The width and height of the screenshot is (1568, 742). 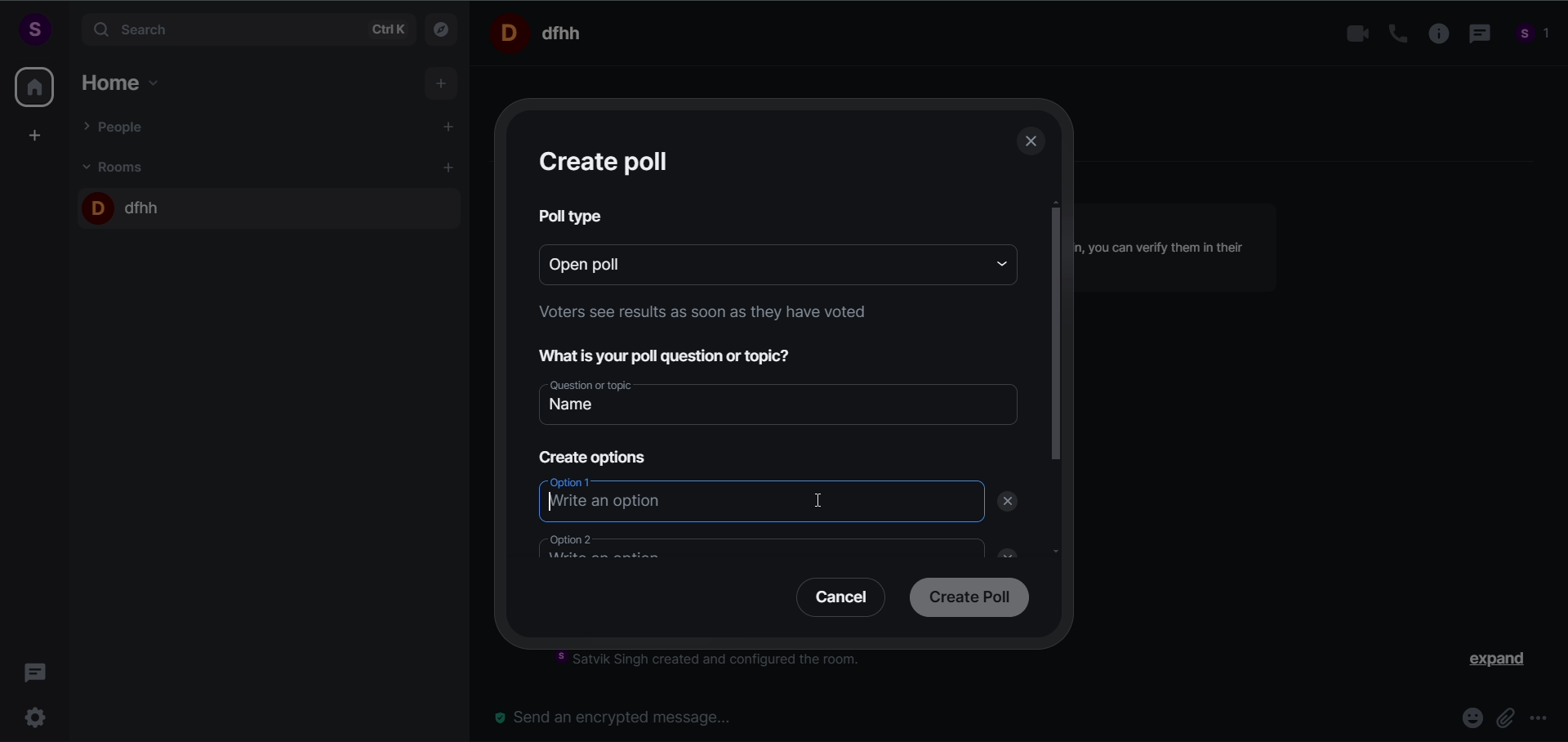 What do you see at coordinates (547, 502) in the screenshot?
I see `typing cursor` at bounding box center [547, 502].